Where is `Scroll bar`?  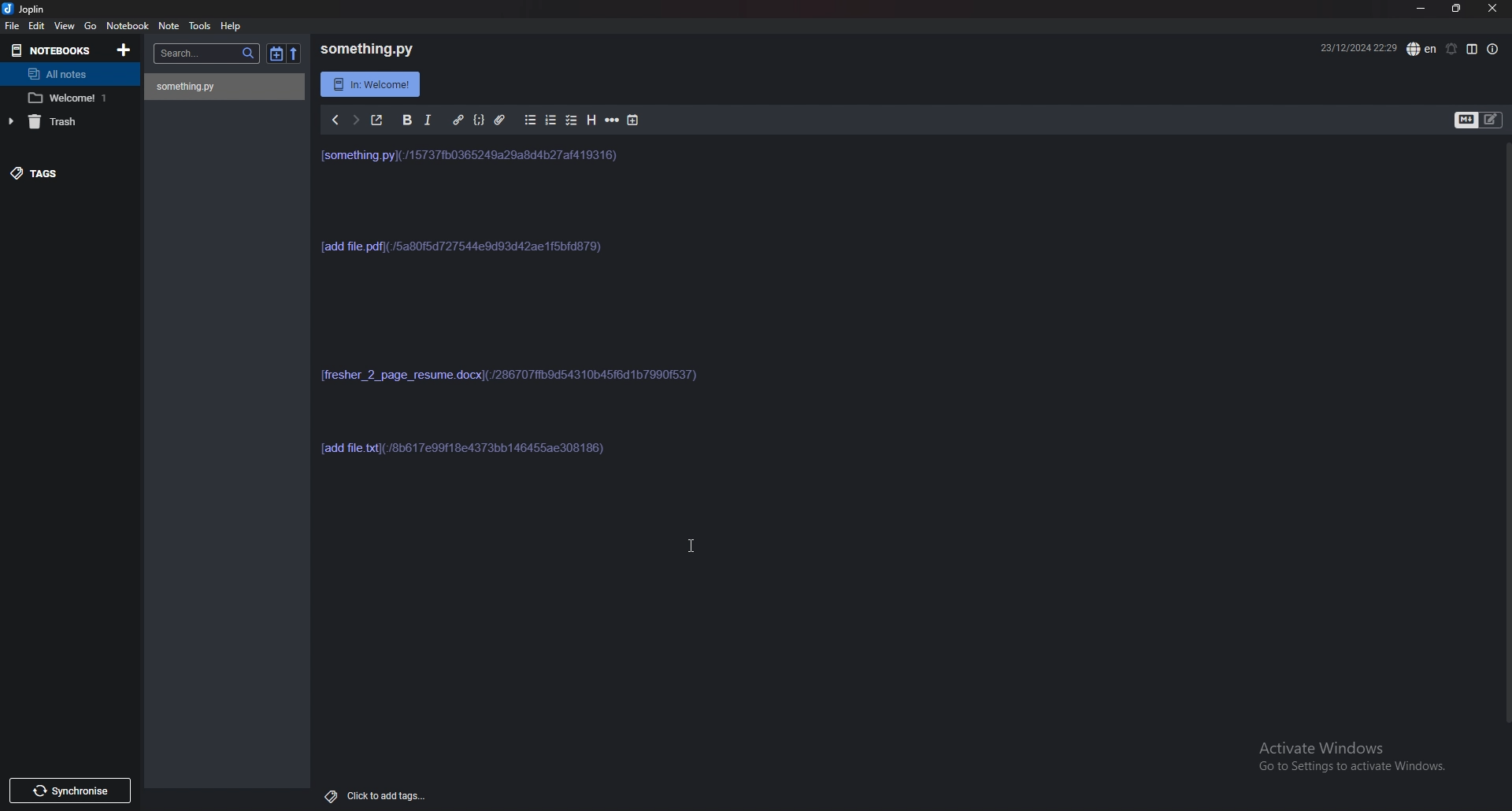 Scroll bar is located at coordinates (1508, 443).